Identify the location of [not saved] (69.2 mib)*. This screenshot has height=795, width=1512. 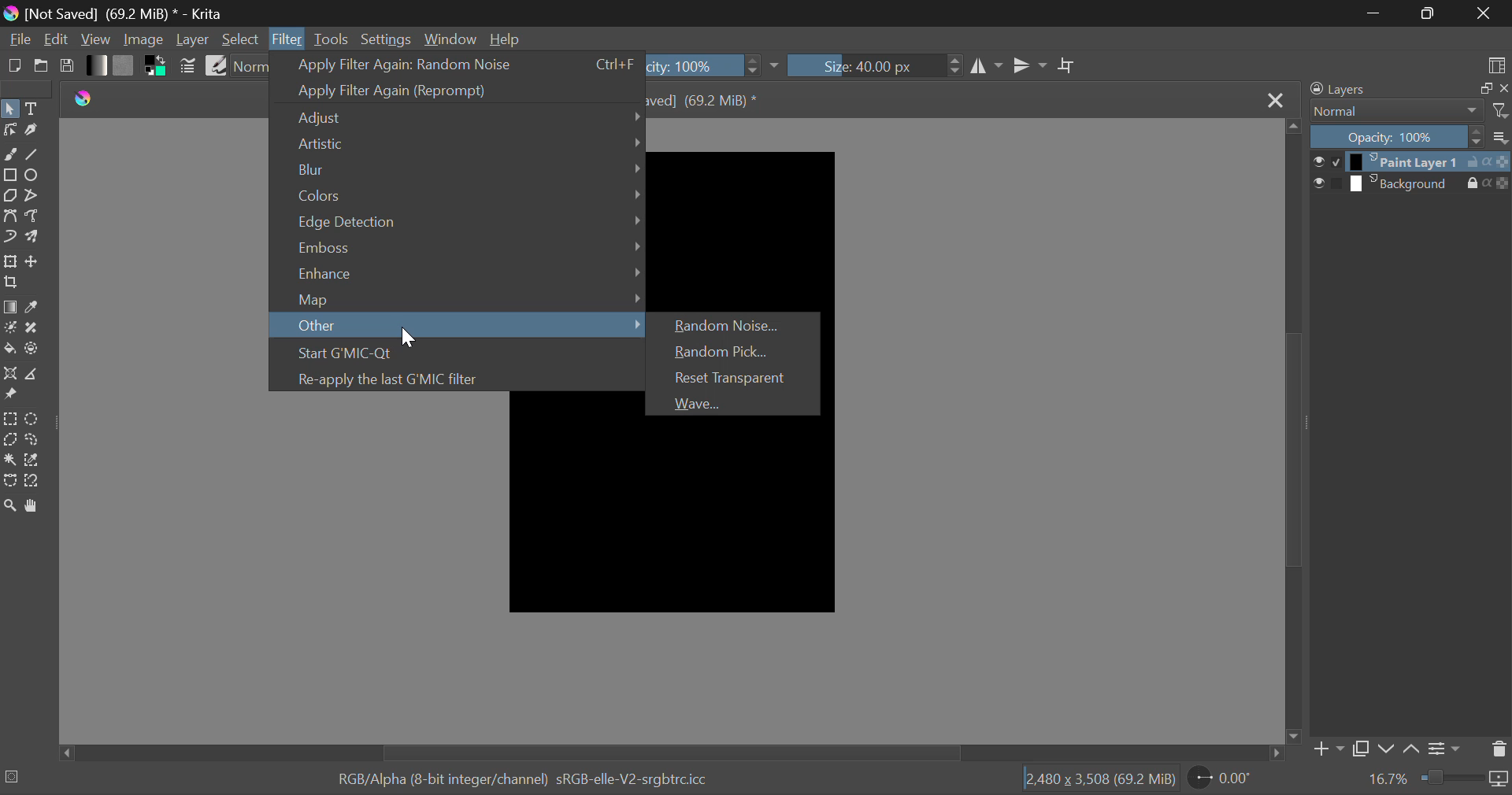
(708, 98).